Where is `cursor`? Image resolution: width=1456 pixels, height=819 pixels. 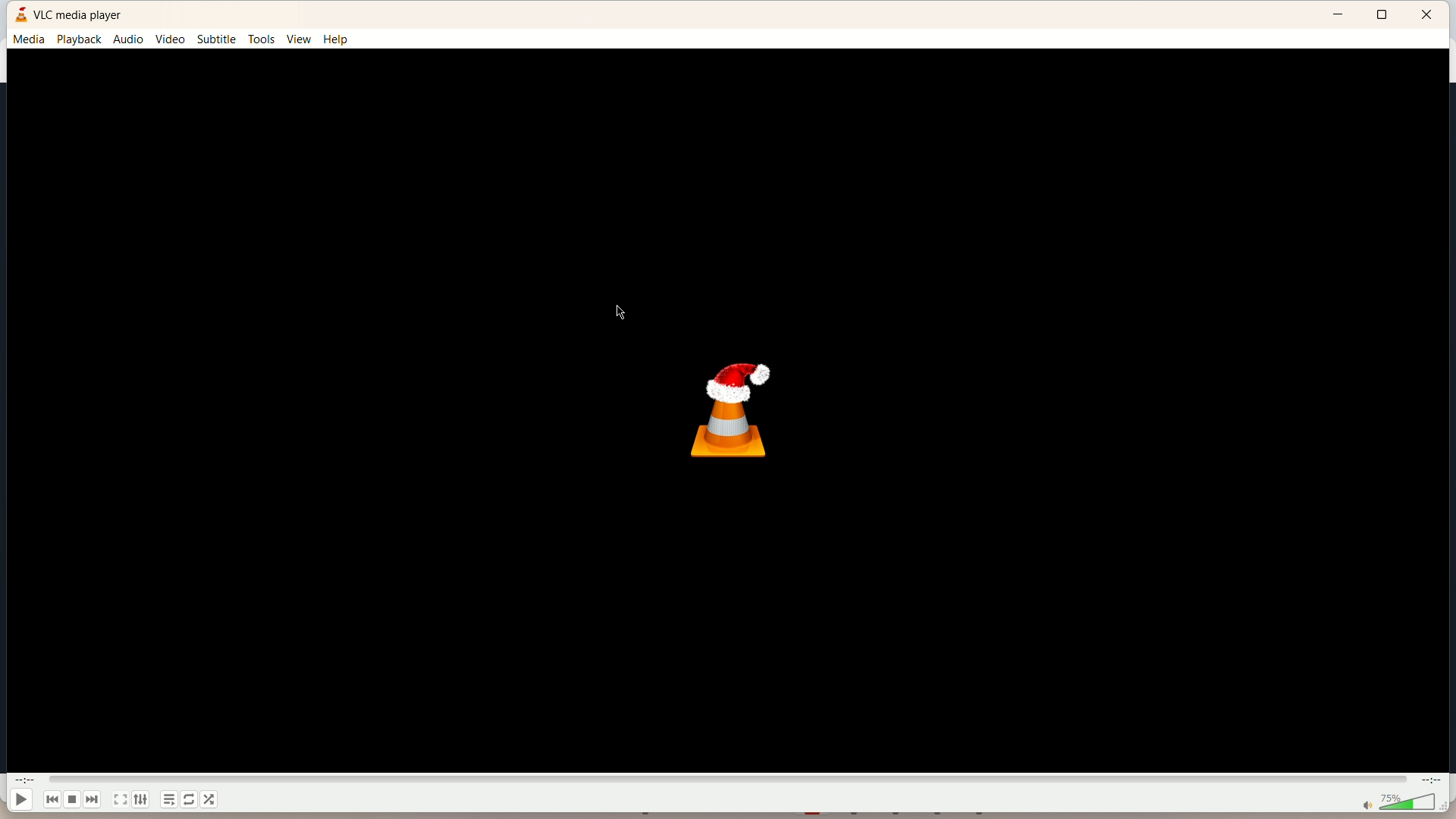 cursor is located at coordinates (625, 313).